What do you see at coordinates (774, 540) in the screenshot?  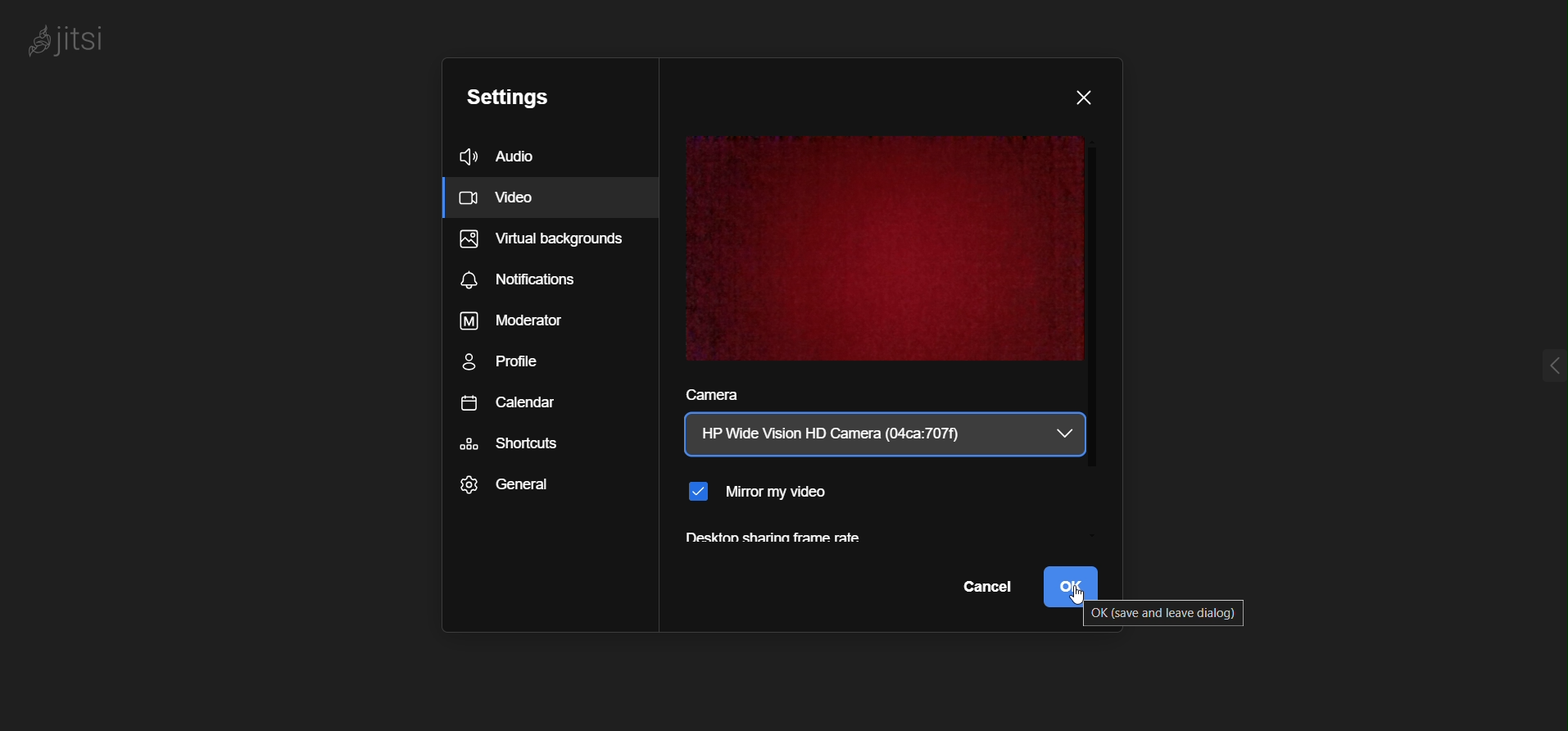 I see `desktop sharing frame rate` at bounding box center [774, 540].